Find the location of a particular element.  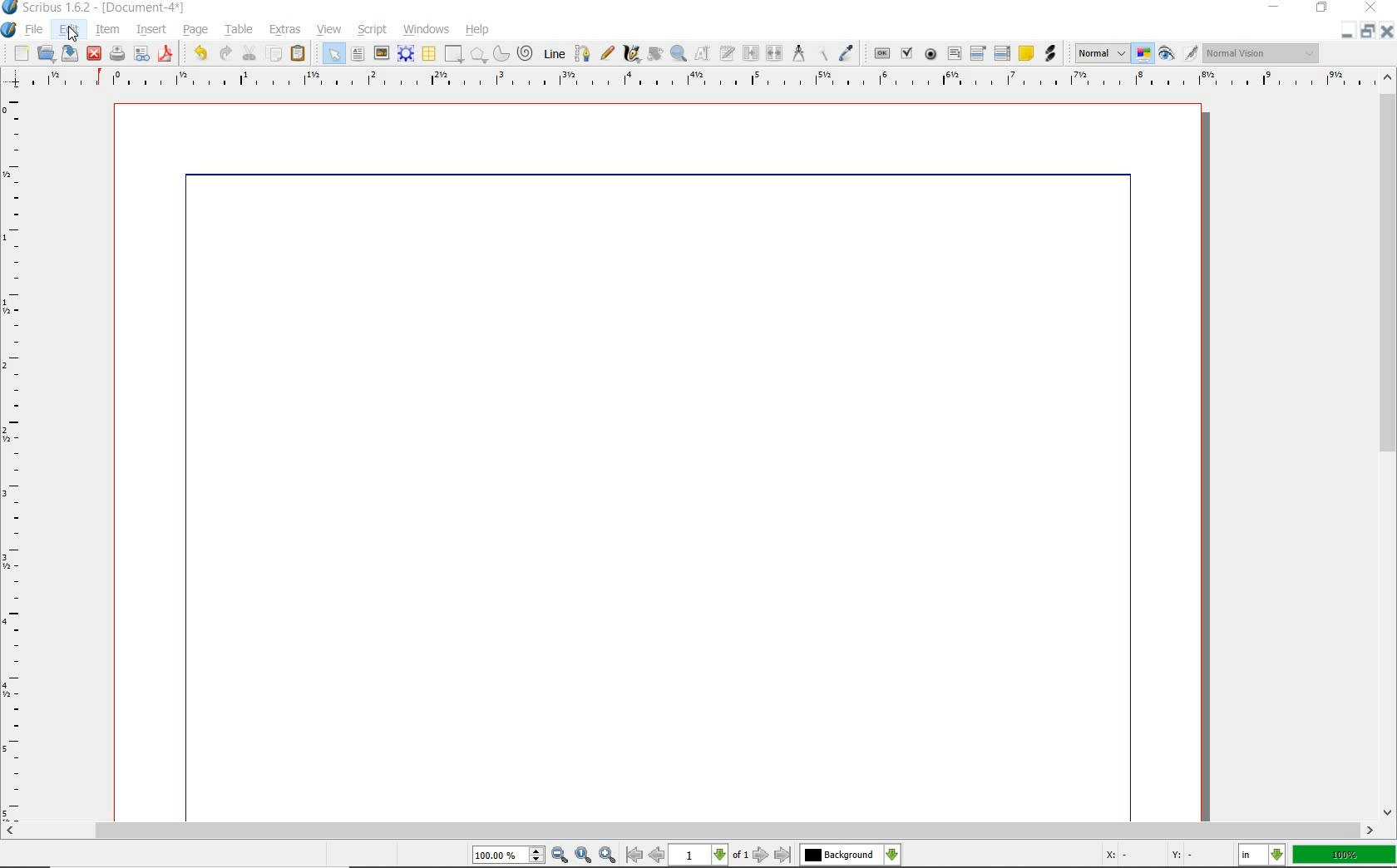

1 is located at coordinates (699, 856).